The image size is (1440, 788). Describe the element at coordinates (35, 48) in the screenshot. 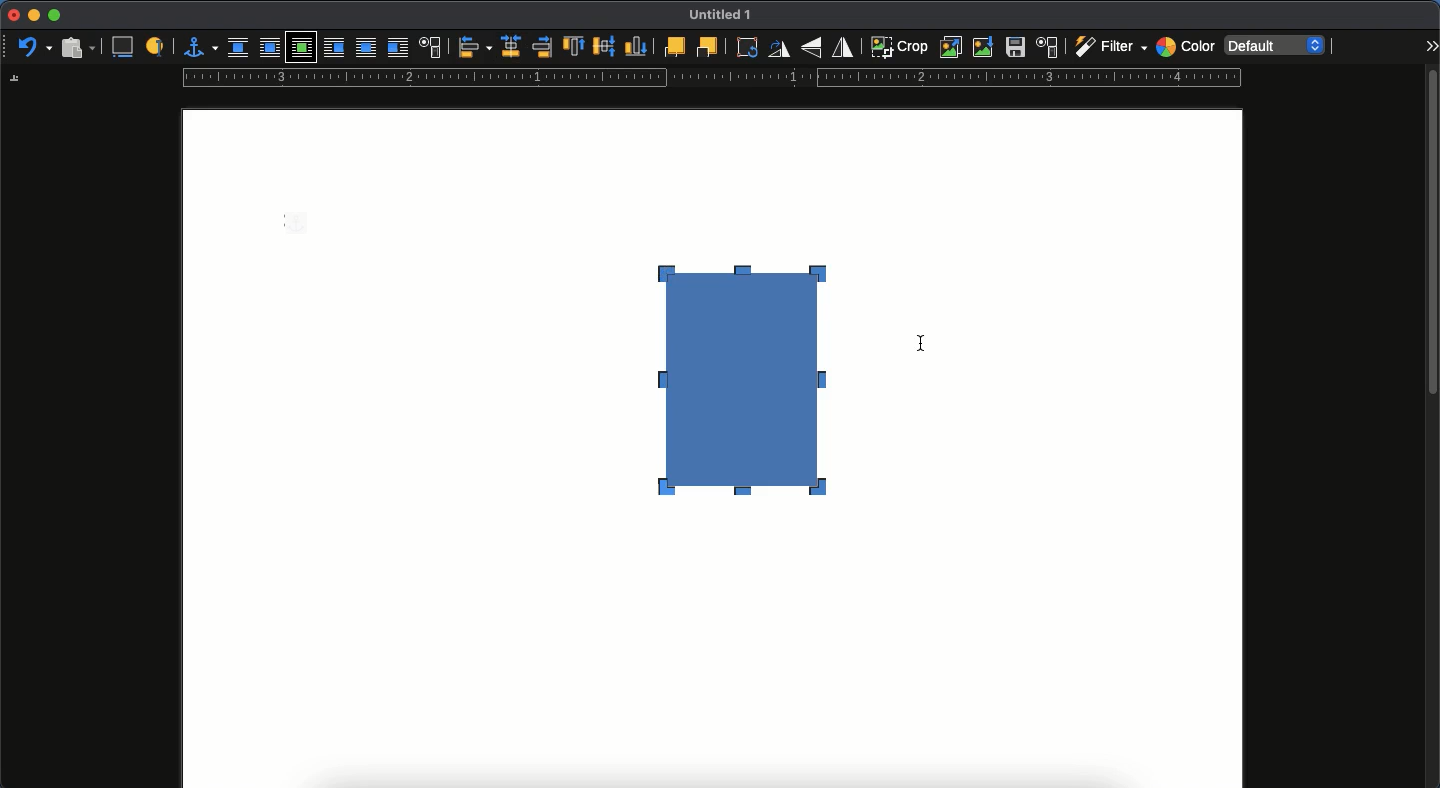

I see `undo` at that location.